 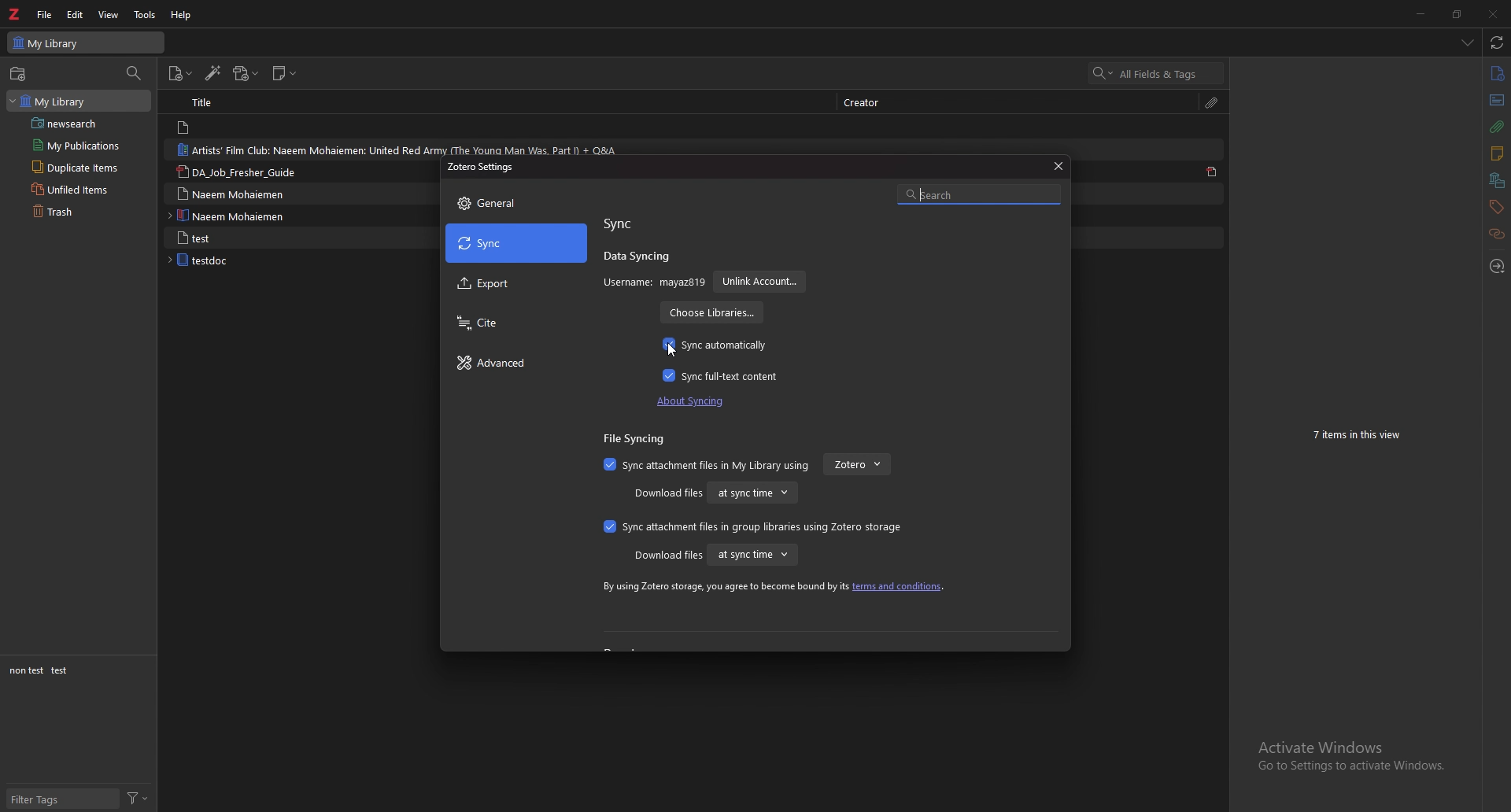 I want to click on download files, so click(x=667, y=555).